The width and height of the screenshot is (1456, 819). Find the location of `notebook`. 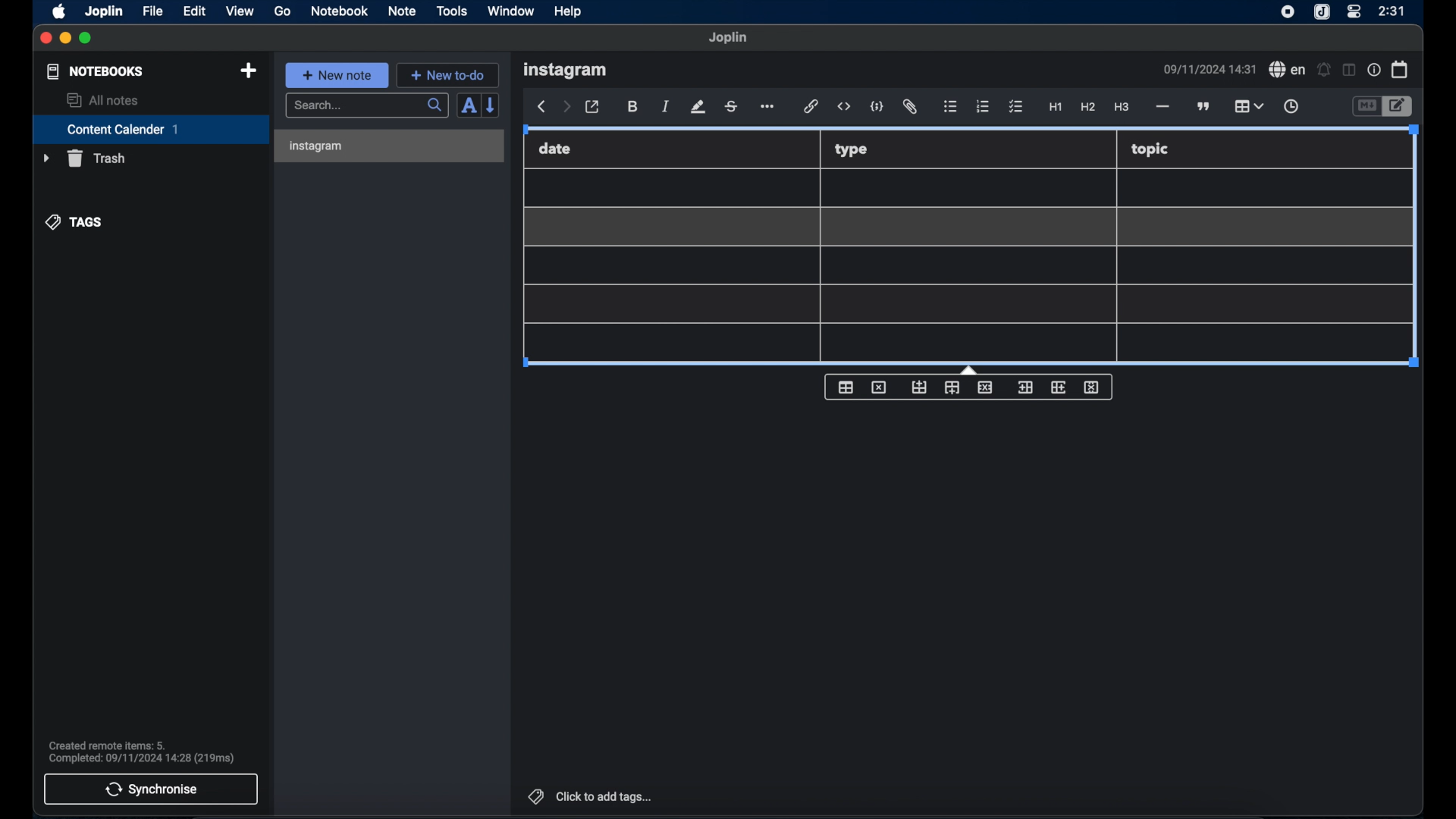

notebook is located at coordinates (338, 11).